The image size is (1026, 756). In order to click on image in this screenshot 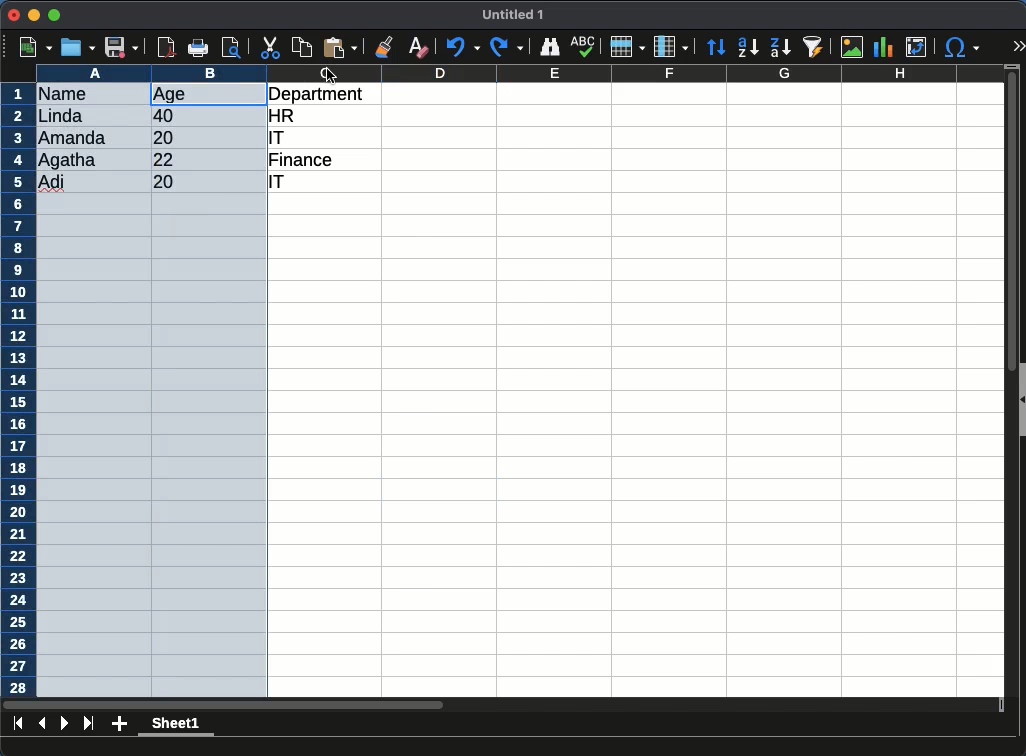, I will do `click(851, 49)`.